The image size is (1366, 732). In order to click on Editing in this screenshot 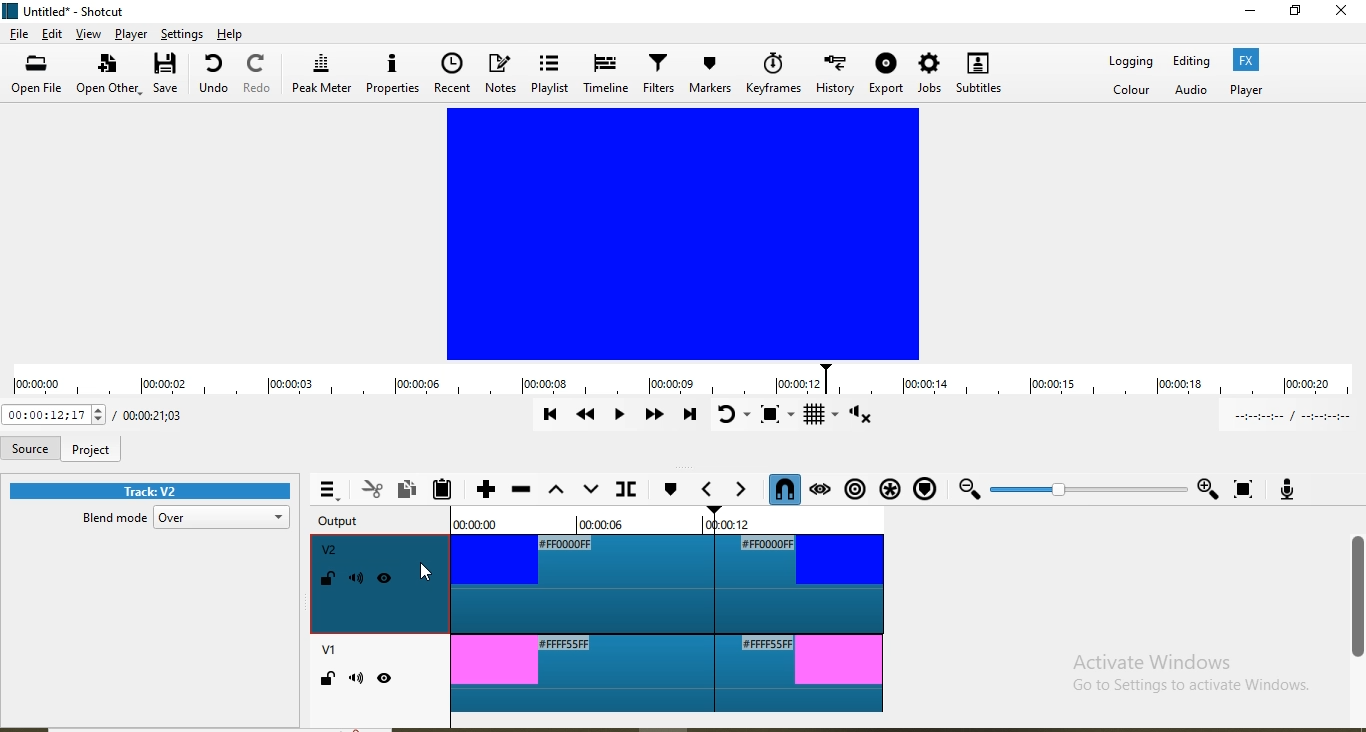, I will do `click(1194, 62)`.